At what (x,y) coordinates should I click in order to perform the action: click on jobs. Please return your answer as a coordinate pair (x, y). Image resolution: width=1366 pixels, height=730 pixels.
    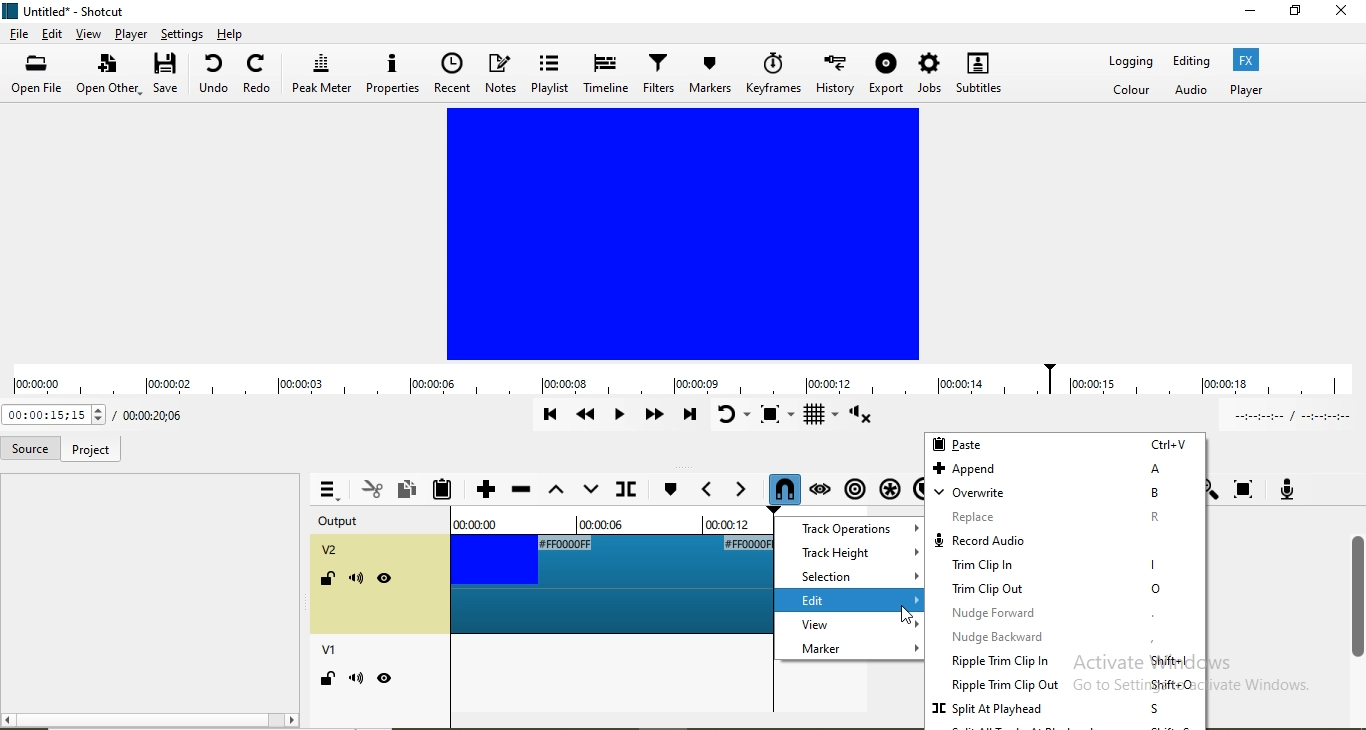
    Looking at the image, I should click on (930, 72).